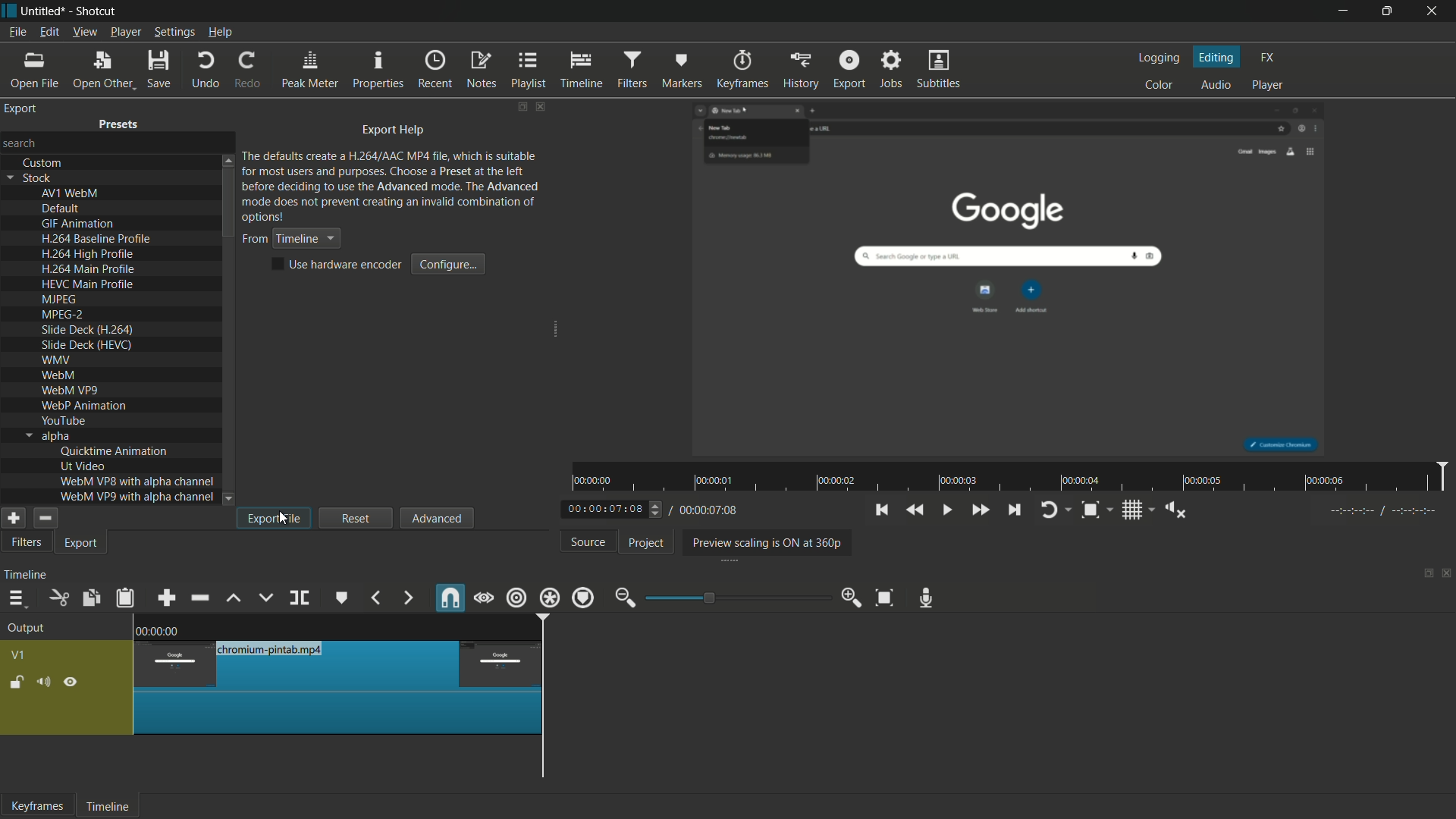 The width and height of the screenshot is (1456, 819). I want to click on zoom timeline to fit, so click(888, 597).